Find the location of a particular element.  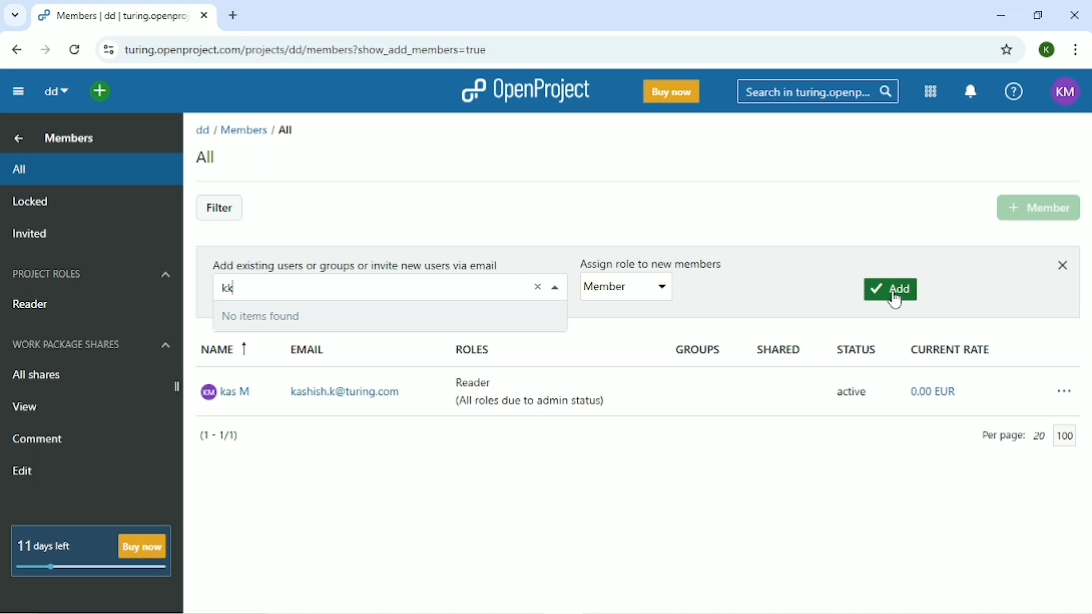

Roles is located at coordinates (469, 347).